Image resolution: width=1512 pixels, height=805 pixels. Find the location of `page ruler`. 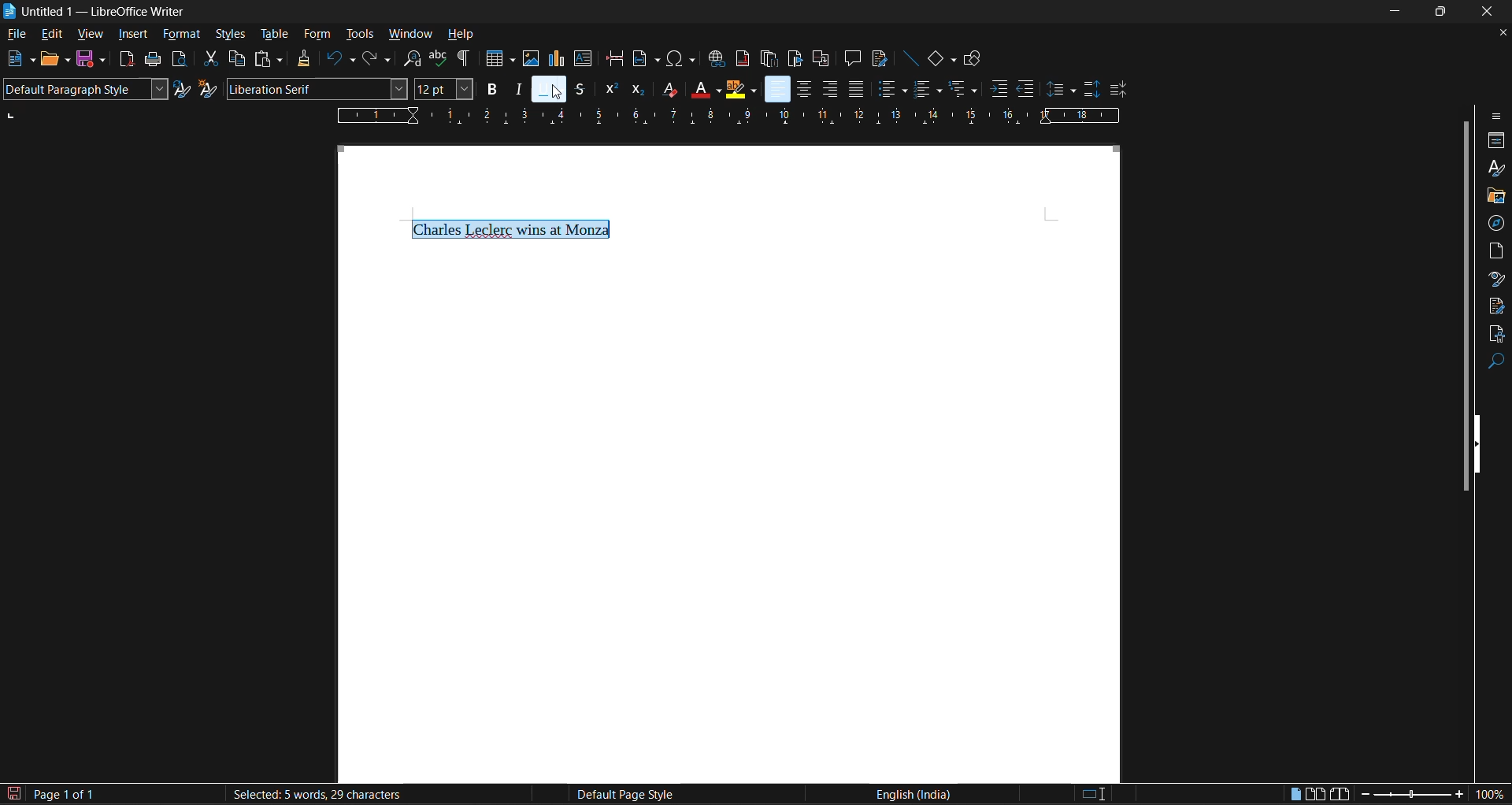

page ruler is located at coordinates (727, 115).